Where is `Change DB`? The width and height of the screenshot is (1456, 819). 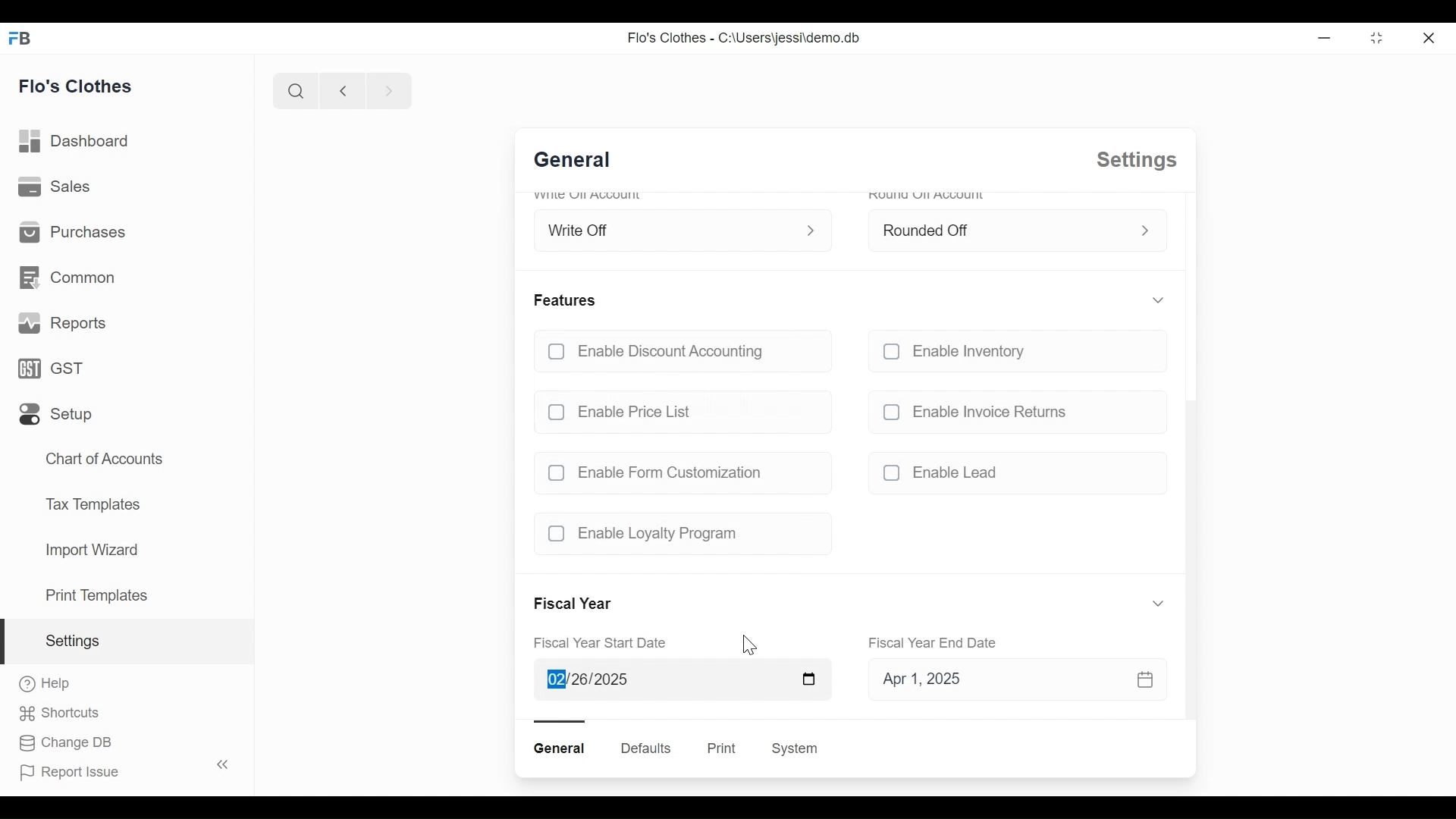
Change DB is located at coordinates (66, 744).